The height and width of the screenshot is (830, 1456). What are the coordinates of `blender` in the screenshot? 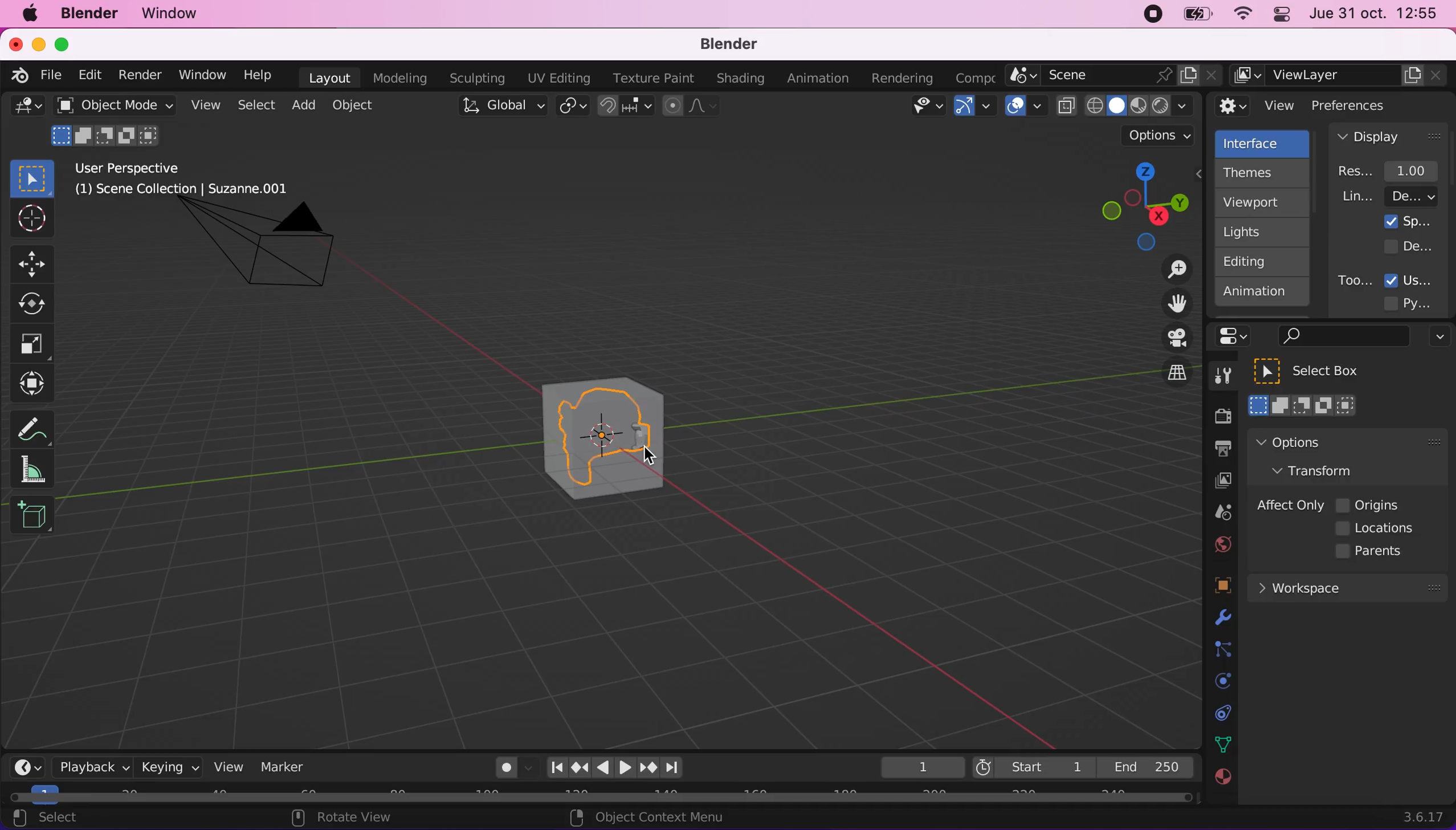 It's located at (721, 45).